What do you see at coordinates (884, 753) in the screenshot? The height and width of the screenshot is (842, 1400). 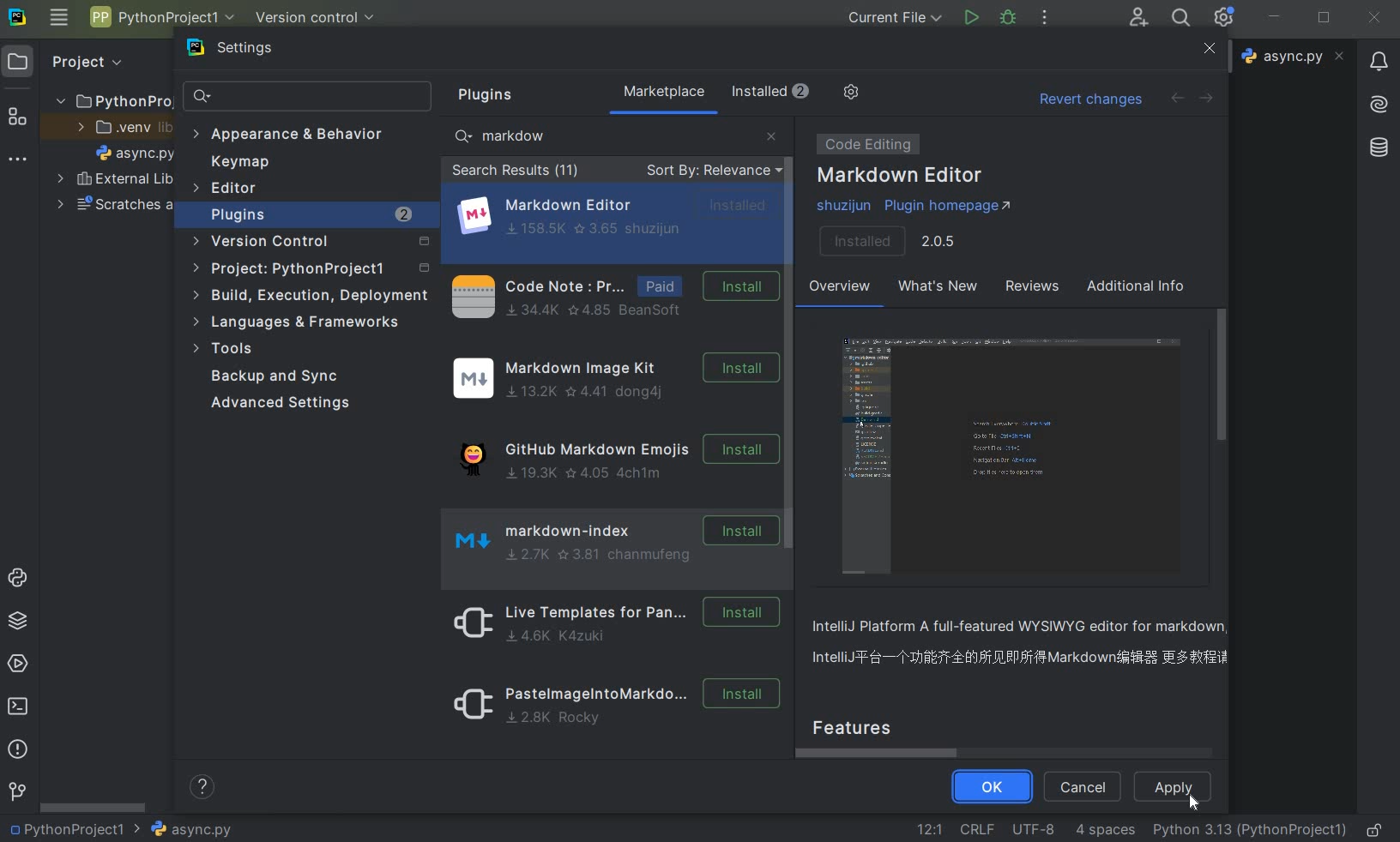 I see `scrollbar` at bounding box center [884, 753].